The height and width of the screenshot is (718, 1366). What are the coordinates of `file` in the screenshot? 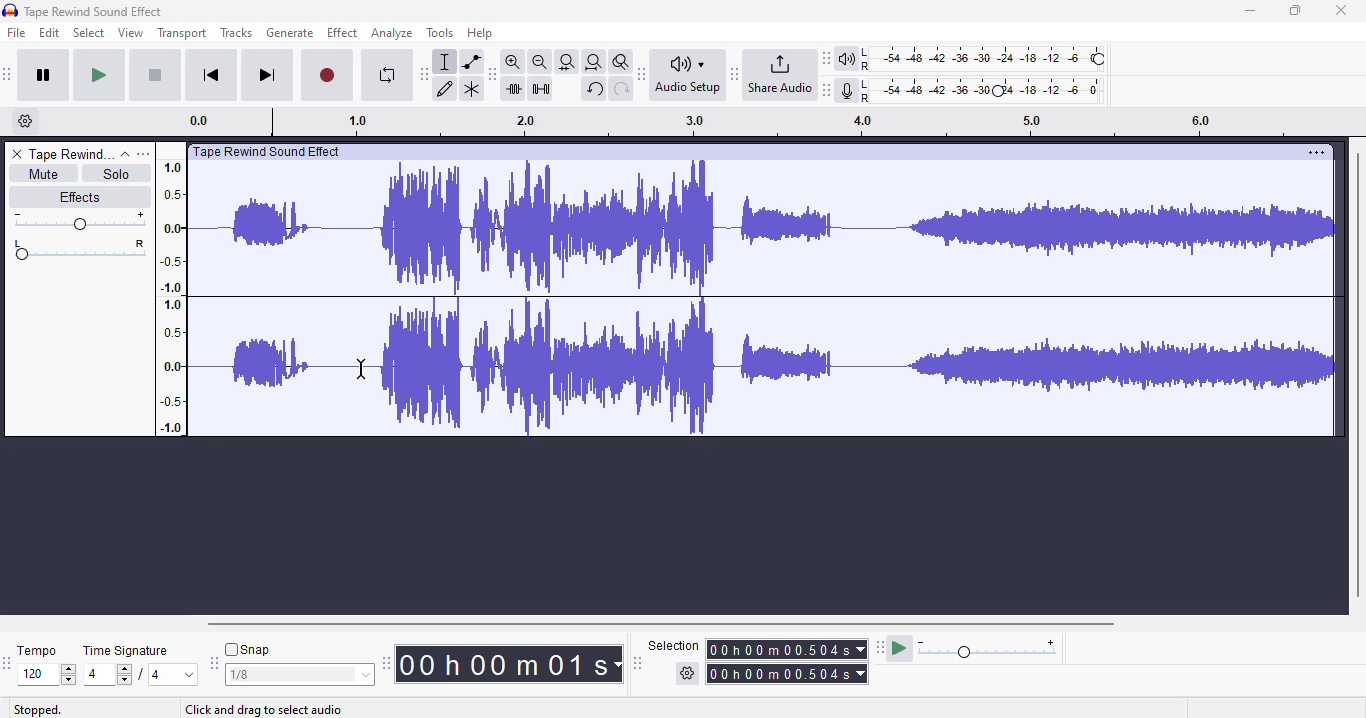 It's located at (17, 32).